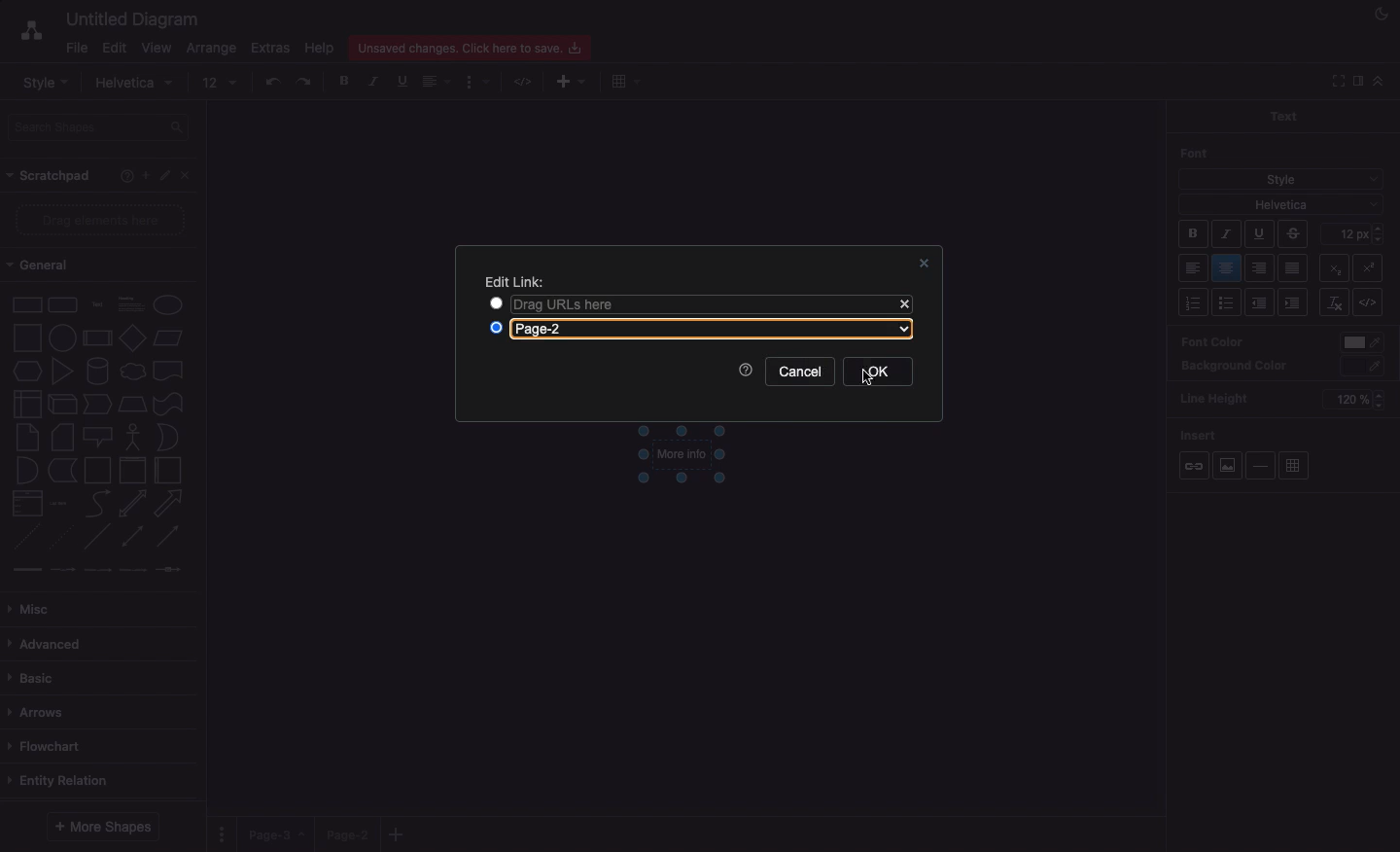 This screenshot has width=1400, height=852. Describe the element at coordinates (28, 471) in the screenshot. I see `and` at that location.